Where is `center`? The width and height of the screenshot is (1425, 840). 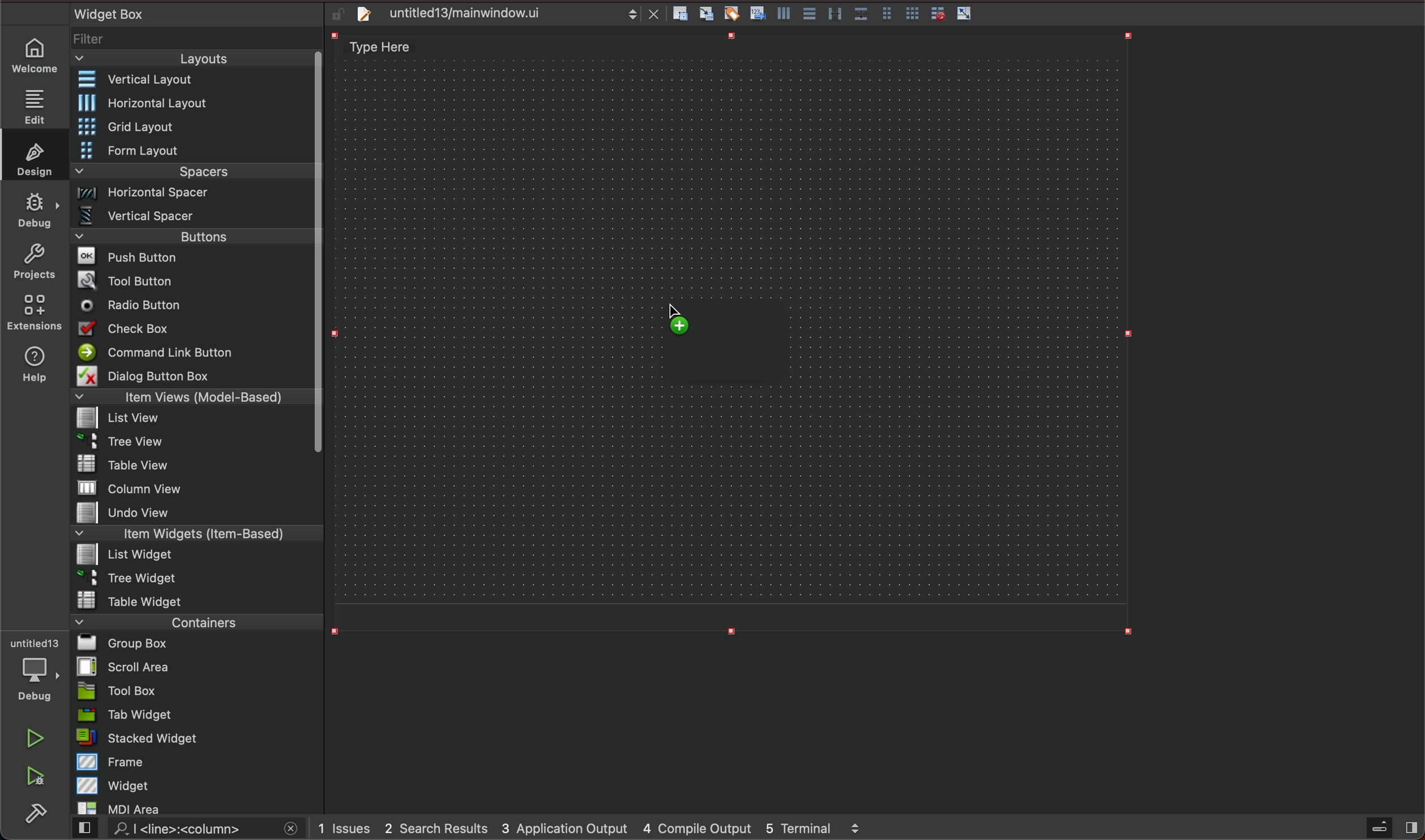
center is located at coordinates (810, 12).